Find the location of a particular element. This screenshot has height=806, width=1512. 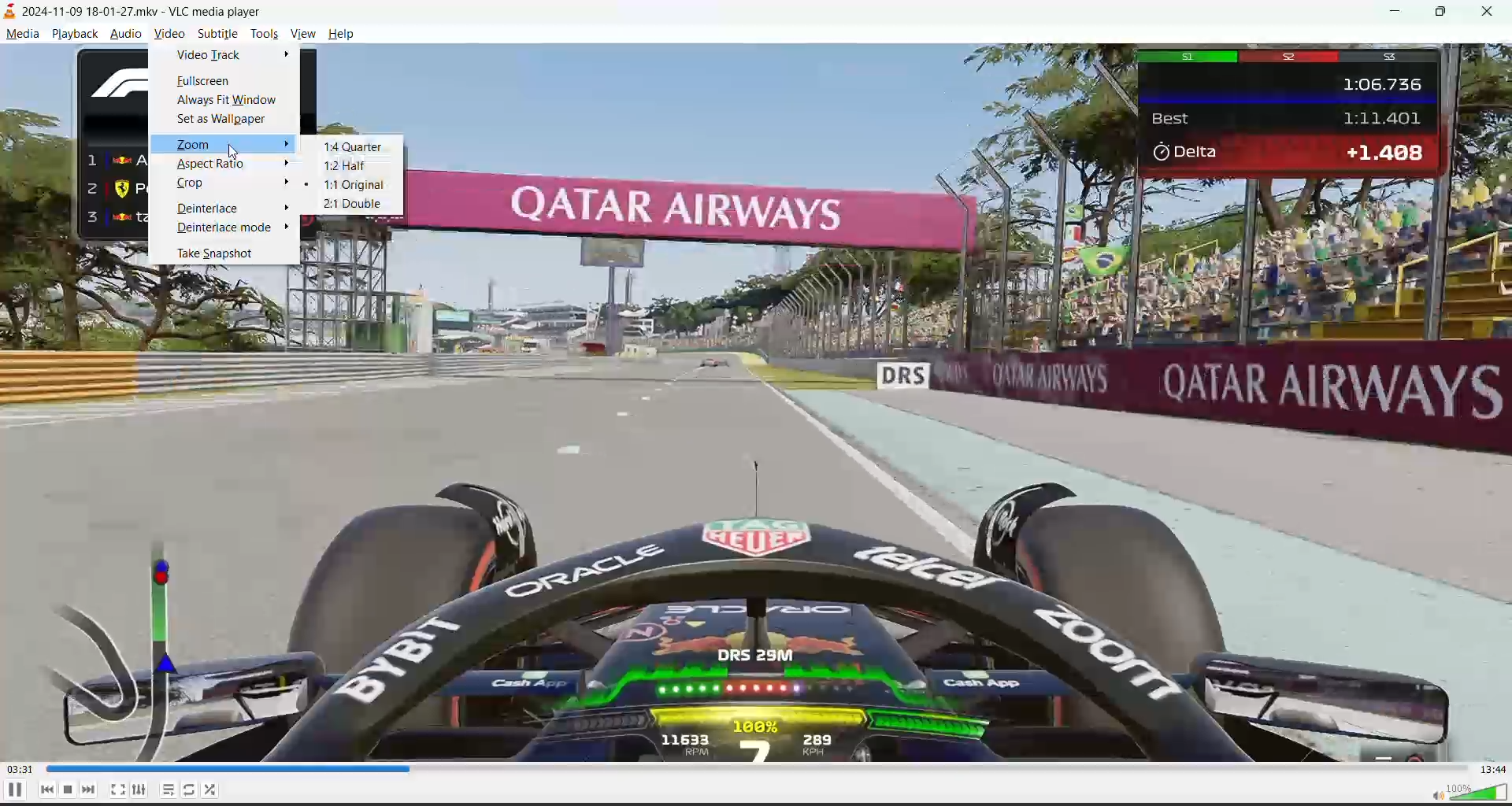

Cursor is located at coordinates (235, 151).